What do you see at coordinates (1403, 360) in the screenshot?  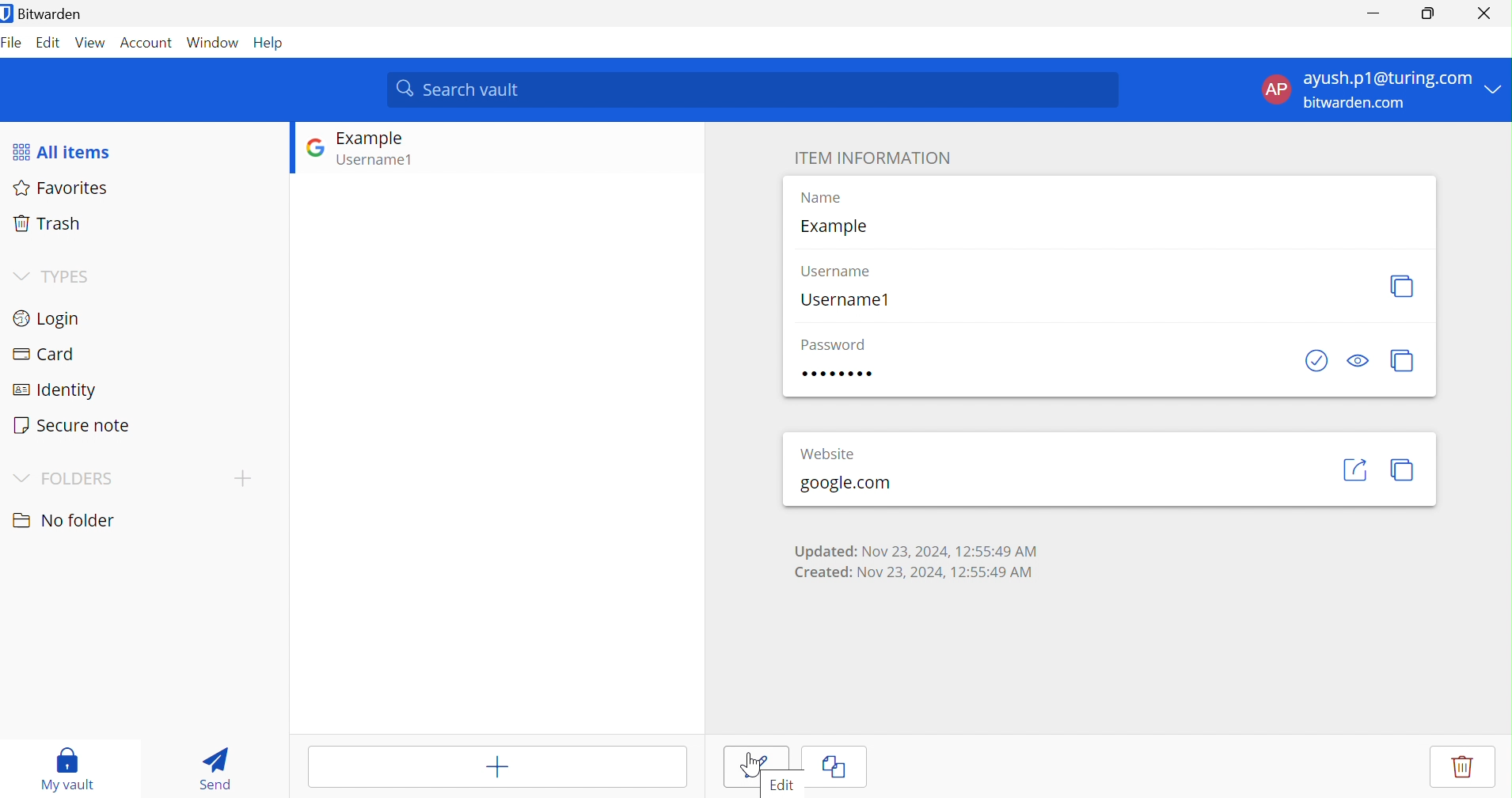 I see `Copy Password` at bounding box center [1403, 360].